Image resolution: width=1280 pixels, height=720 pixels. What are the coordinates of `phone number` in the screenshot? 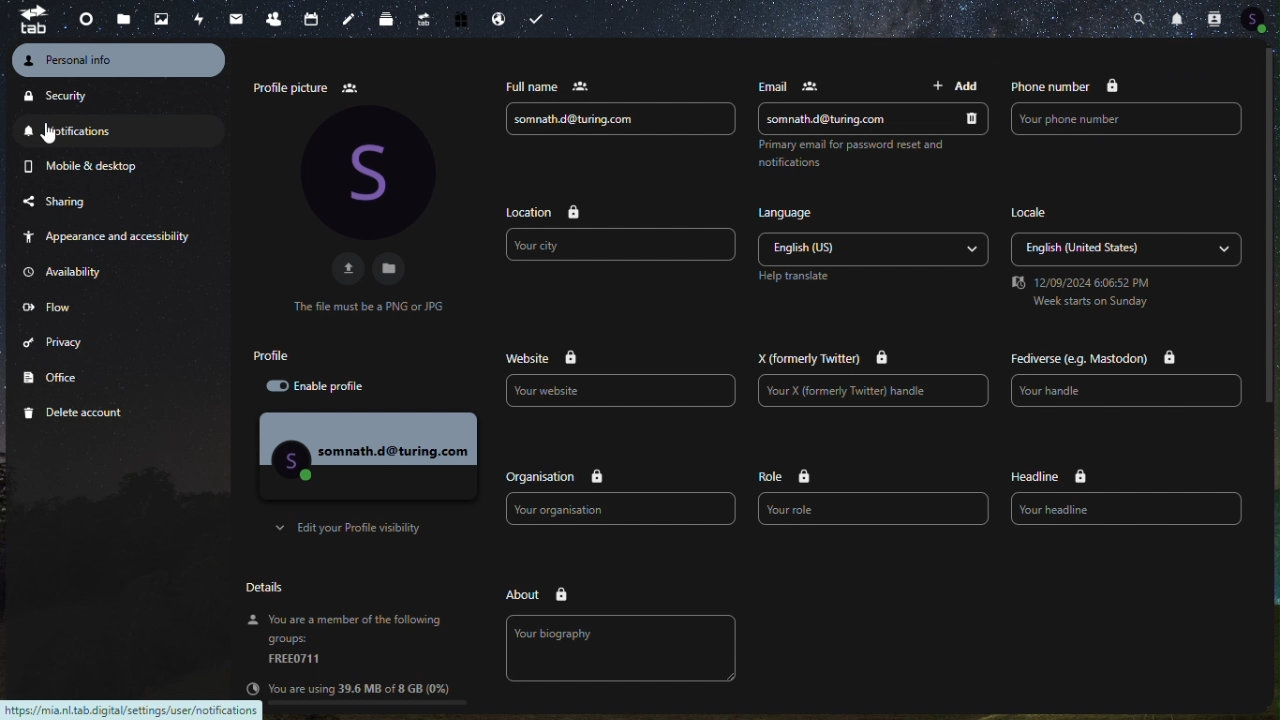 It's located at (1068, 87).